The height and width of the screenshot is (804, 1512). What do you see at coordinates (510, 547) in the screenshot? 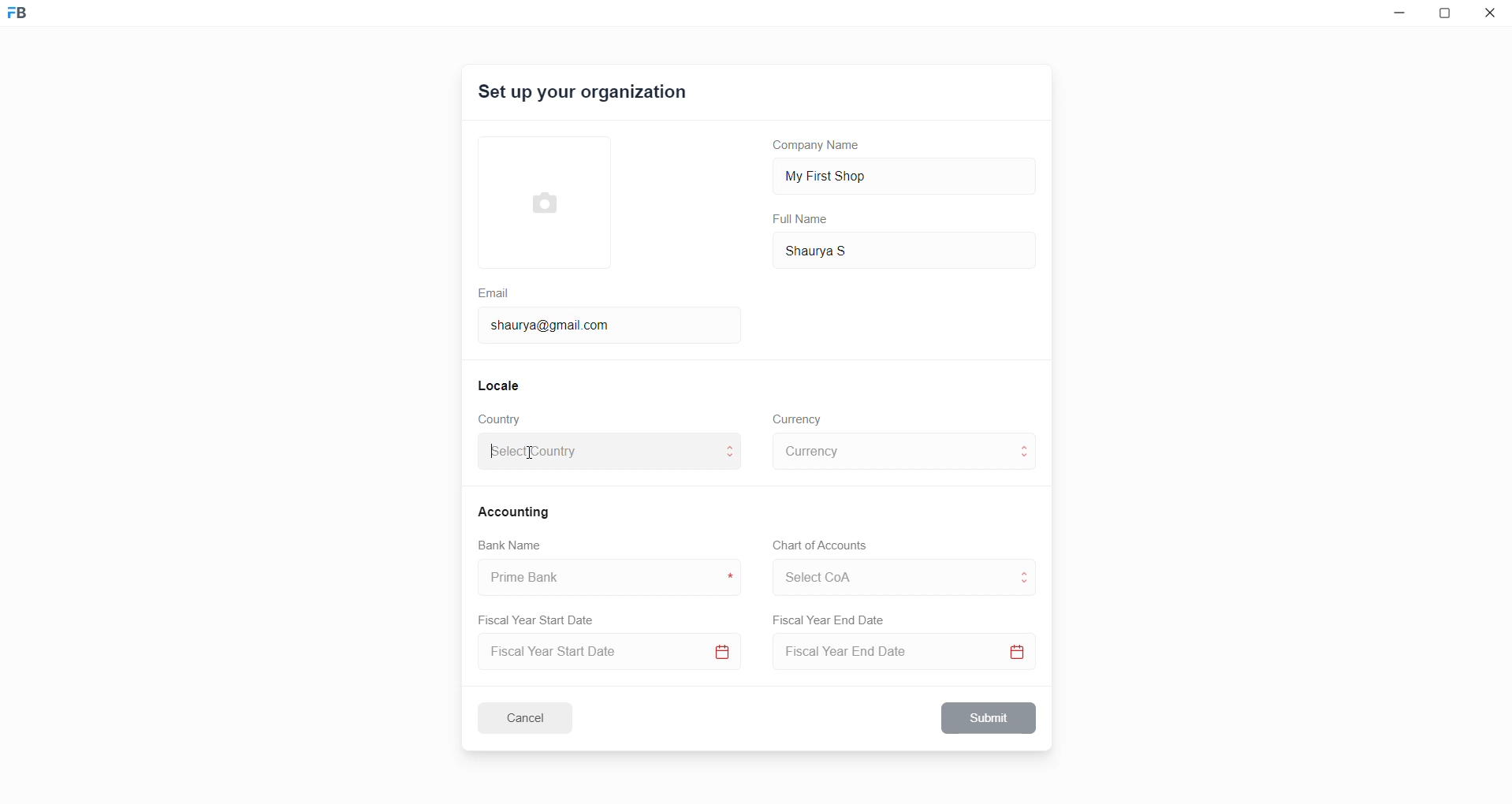
I see `Bank Name` at bounding box center [510, 547].